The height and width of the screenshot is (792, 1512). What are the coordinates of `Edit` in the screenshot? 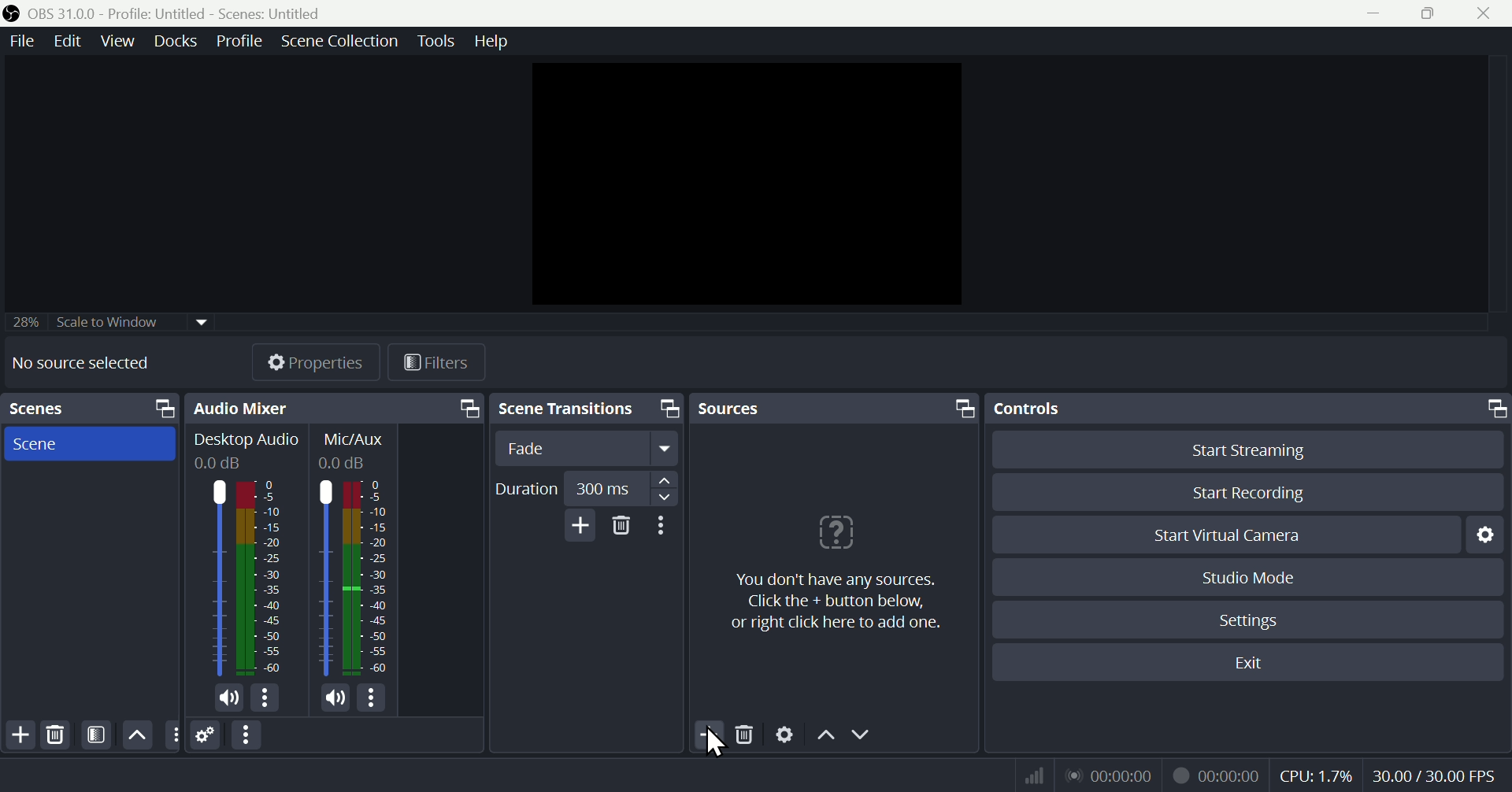 It's located at (65, 41).